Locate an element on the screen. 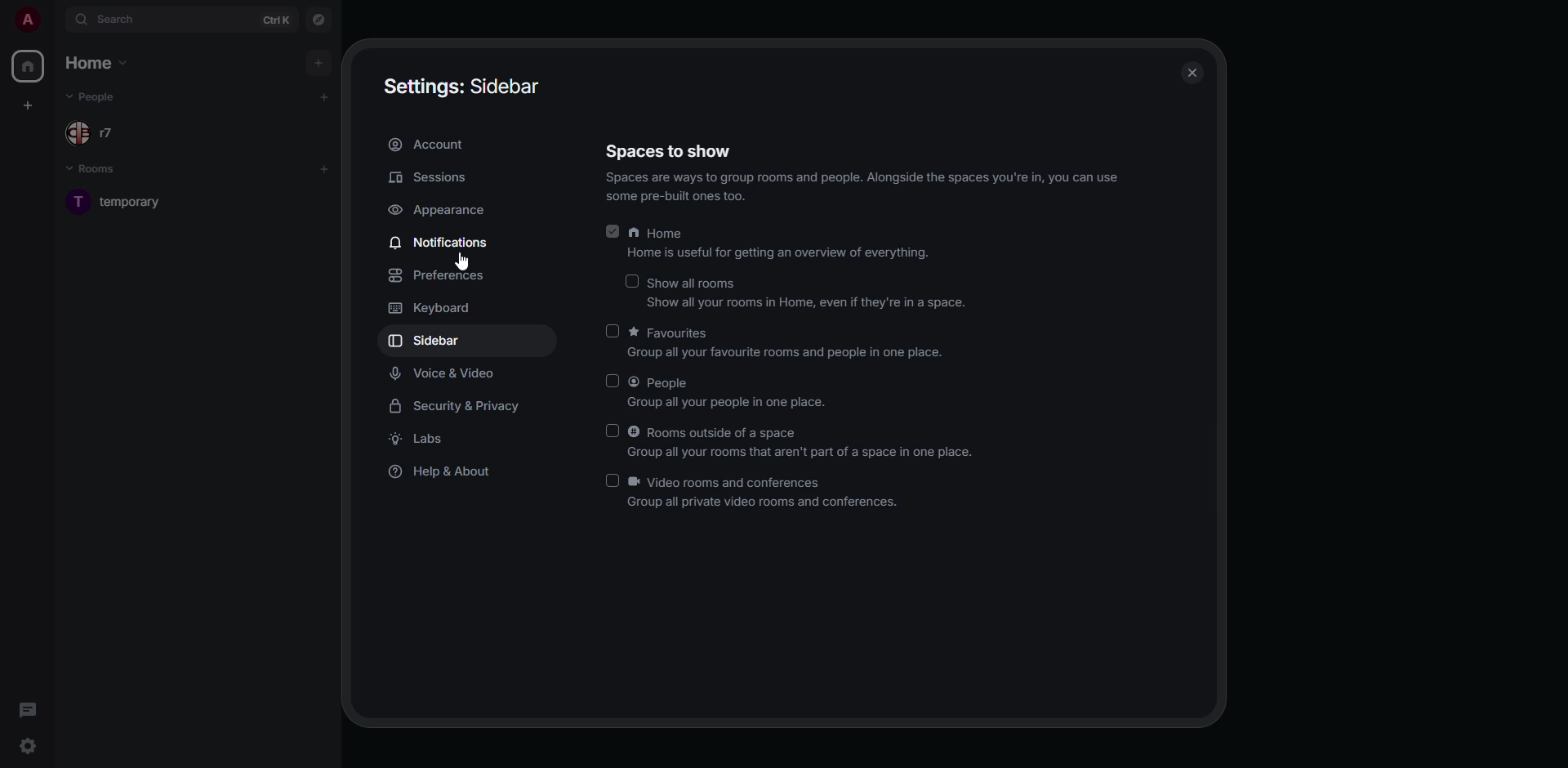 This screenshot has width=1568, height=768. keyboard is located at coordinates (439, 308).